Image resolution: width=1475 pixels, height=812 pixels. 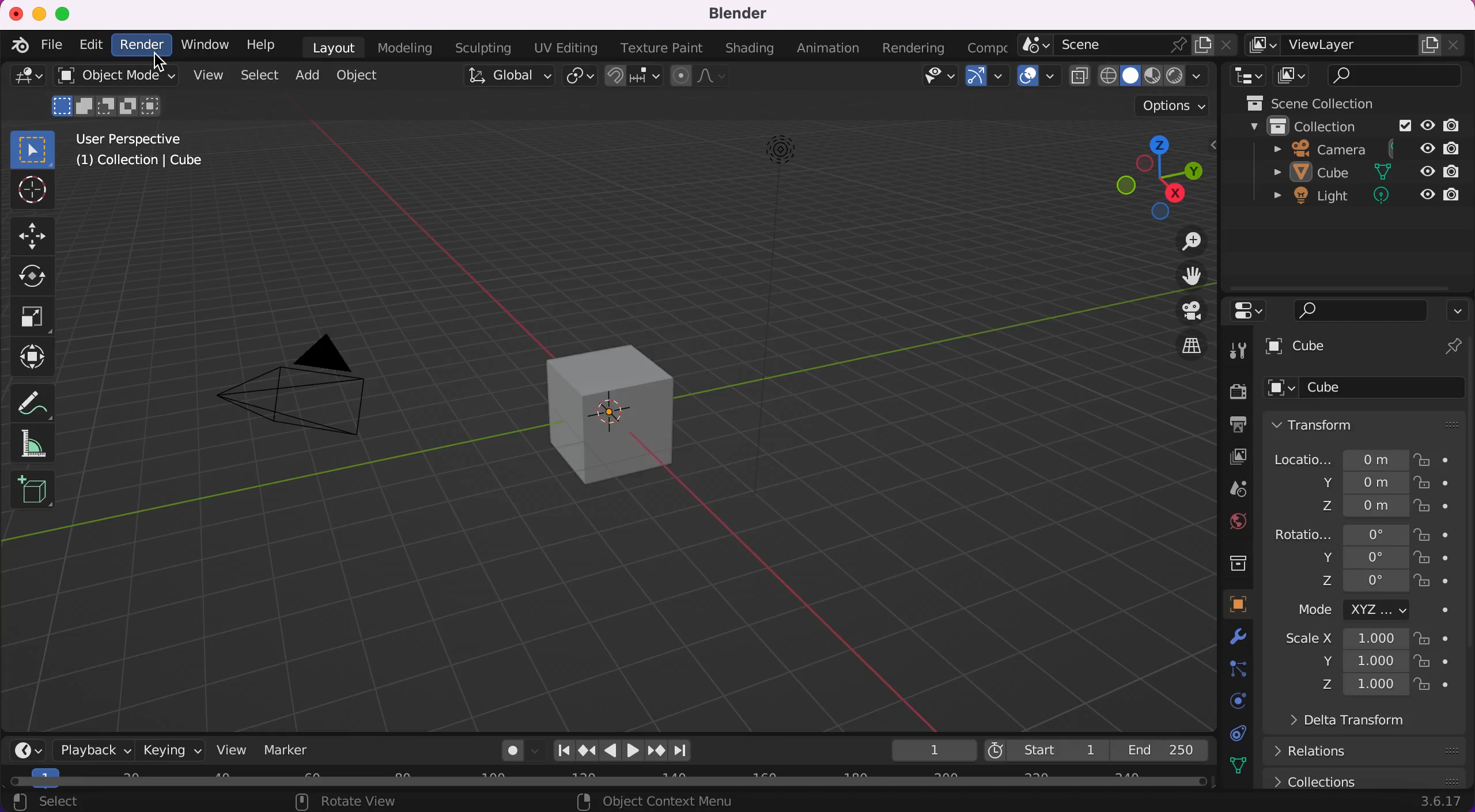 I want to click on y 0, so click(x=1350, y=557).